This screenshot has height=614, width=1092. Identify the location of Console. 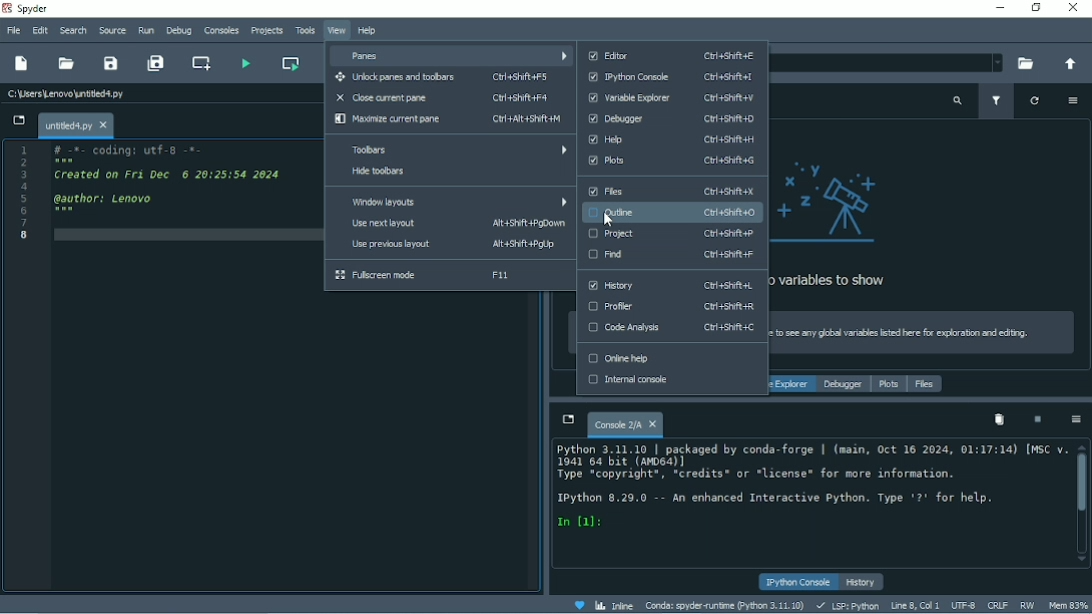
(625, 422).